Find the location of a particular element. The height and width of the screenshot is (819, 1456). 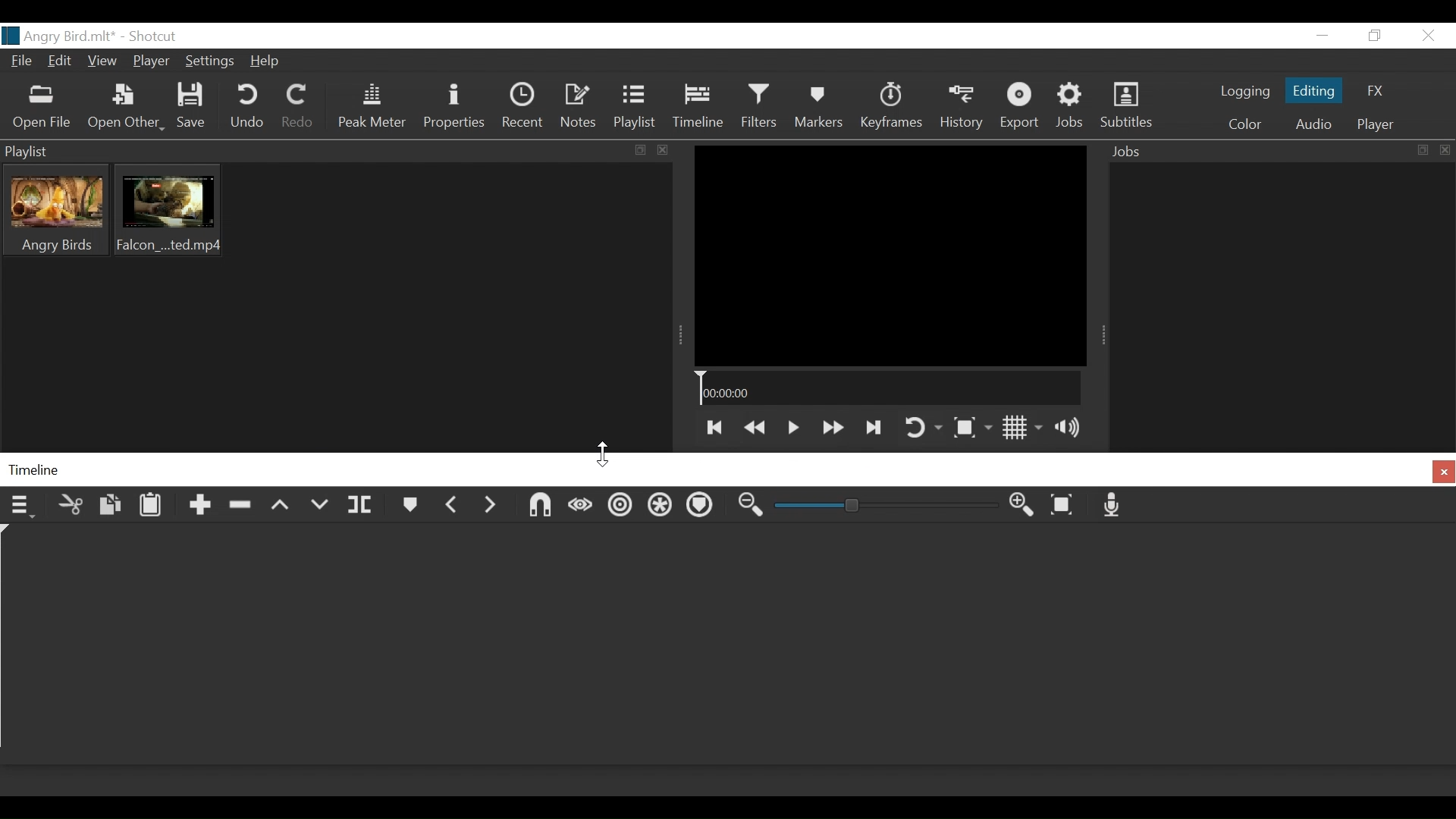

Color is located at coordinates (1245, 124).